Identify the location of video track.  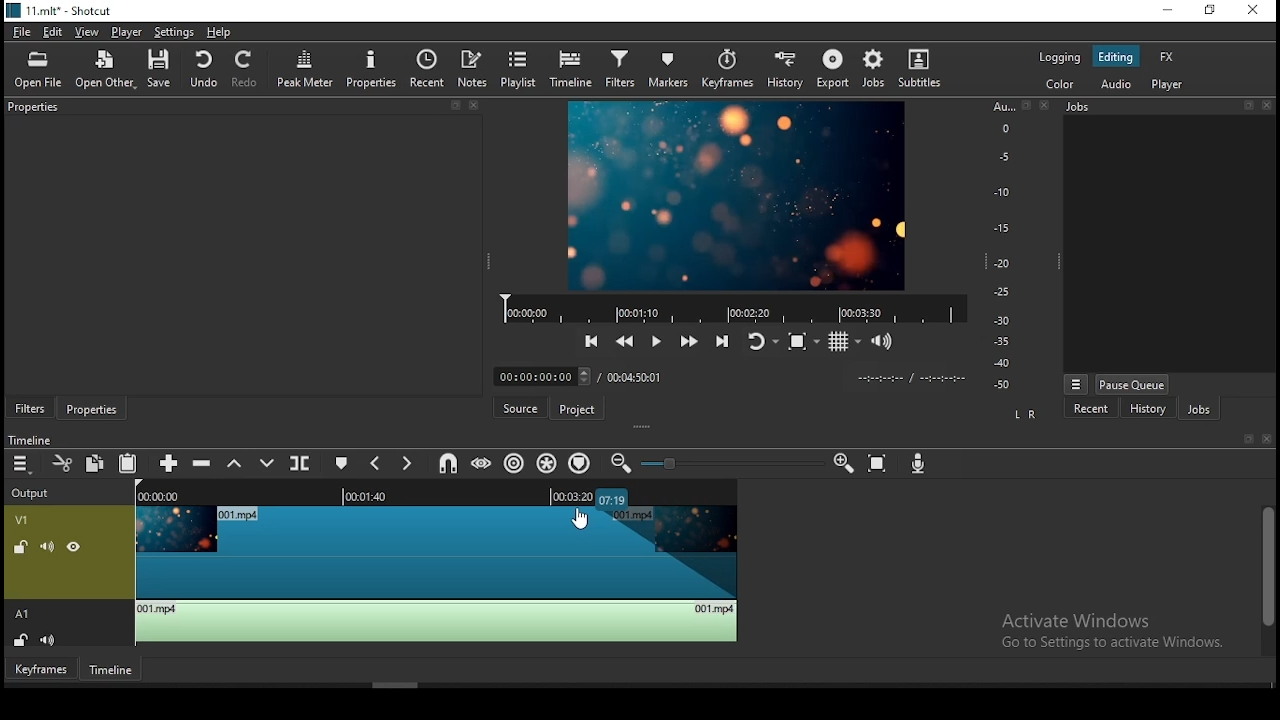
(375, 565).